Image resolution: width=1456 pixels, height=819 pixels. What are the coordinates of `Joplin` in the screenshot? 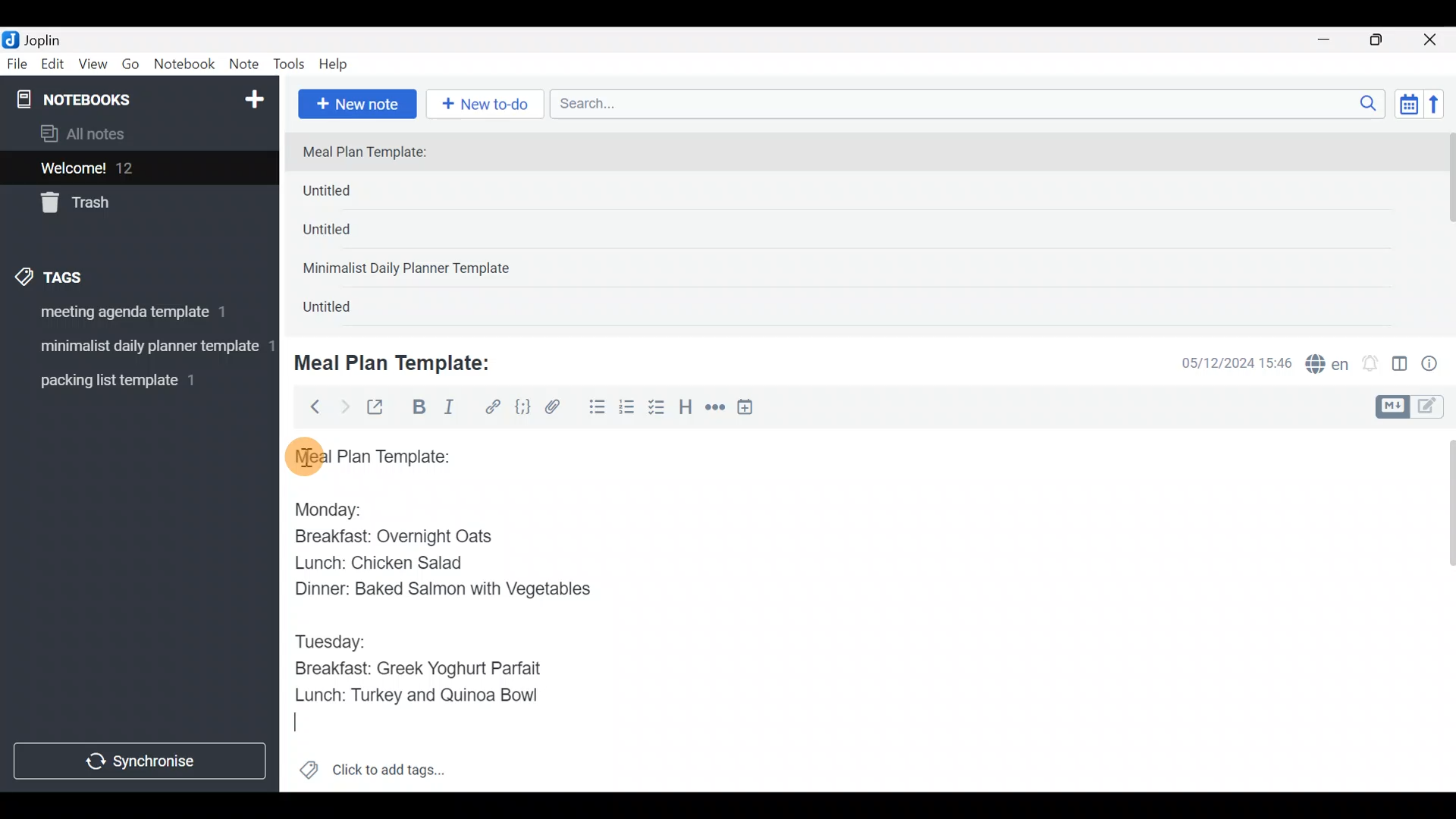 It's located at (52, 38).